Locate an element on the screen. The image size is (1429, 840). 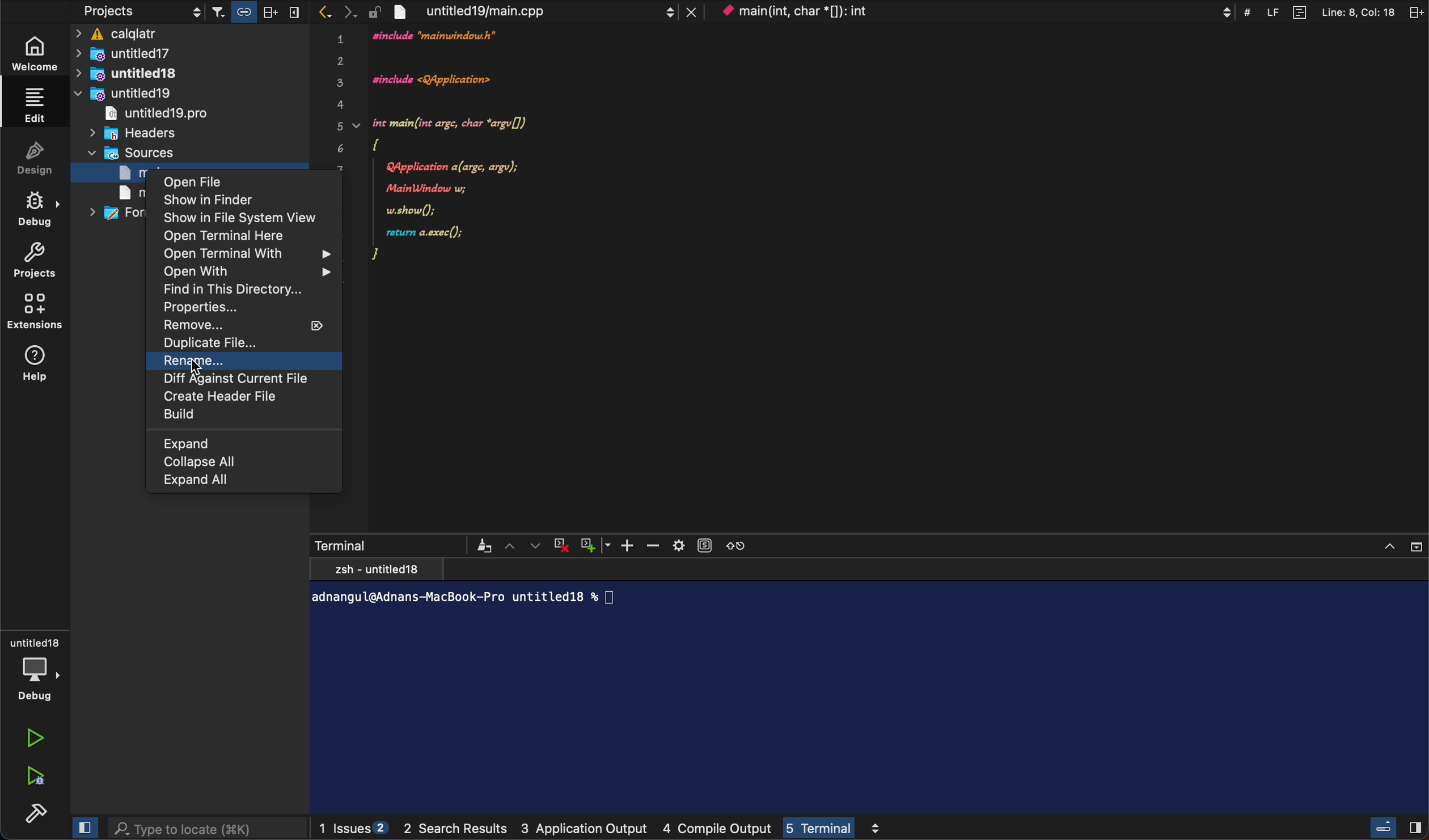
find  is located at coordinates (239, 291).